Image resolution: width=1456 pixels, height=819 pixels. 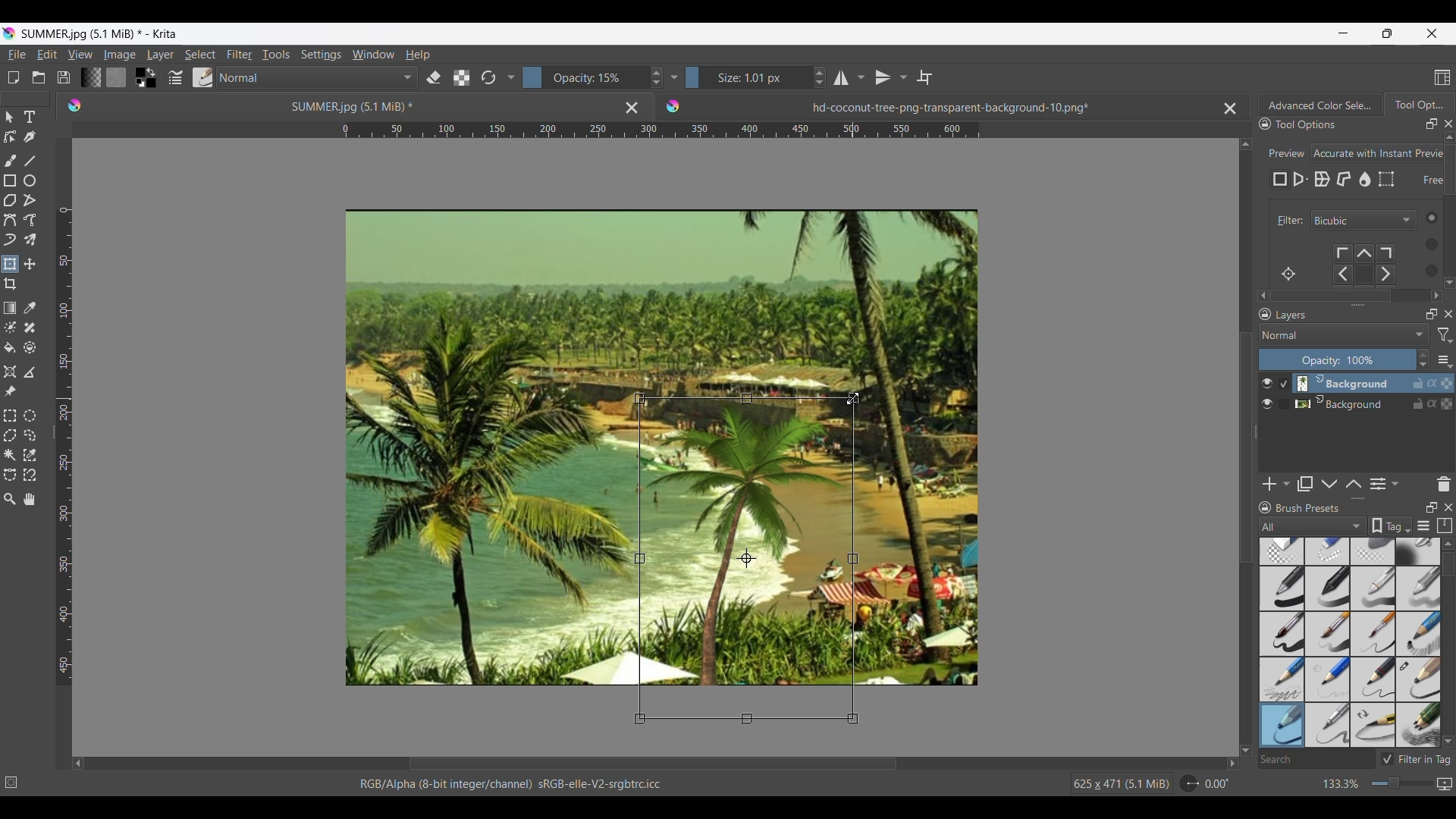 I want to click on basic 3-flow, so click(x=1373, y=588).